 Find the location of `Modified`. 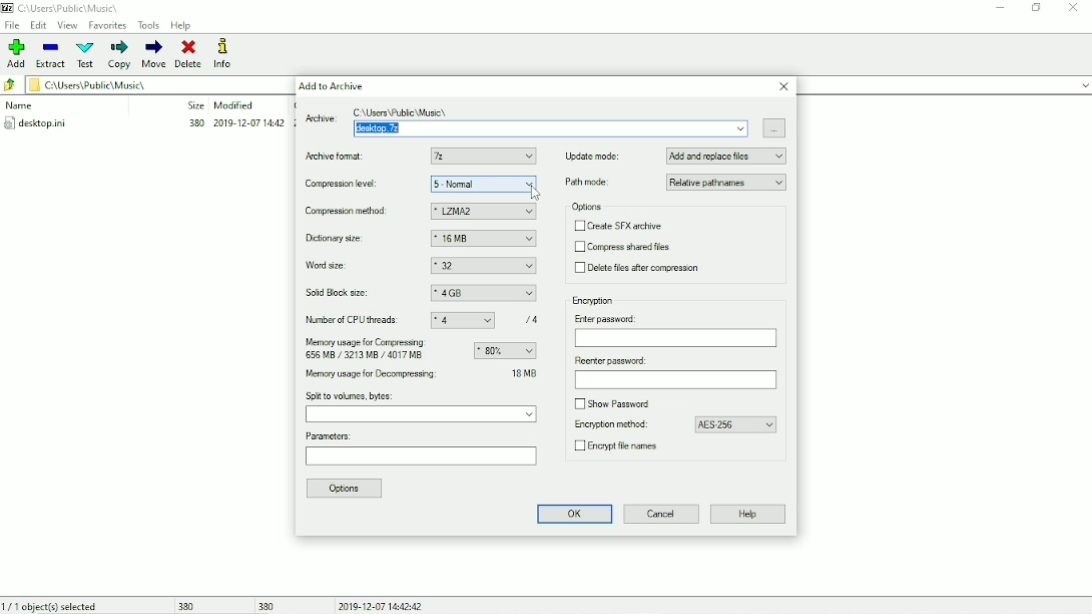

Modified is located at coordinates (234, 105).